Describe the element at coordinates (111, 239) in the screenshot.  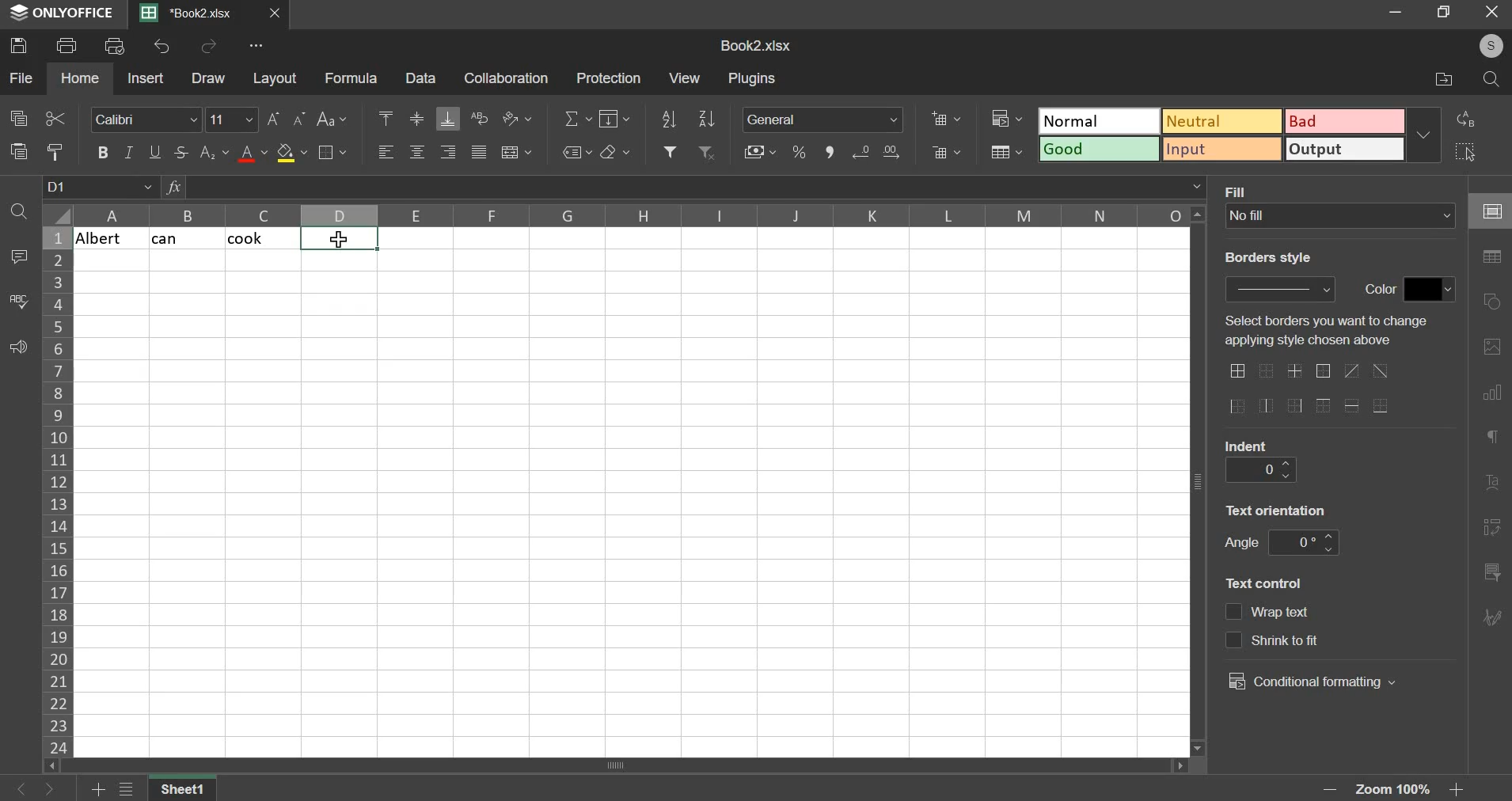
I see `albert` at that location.